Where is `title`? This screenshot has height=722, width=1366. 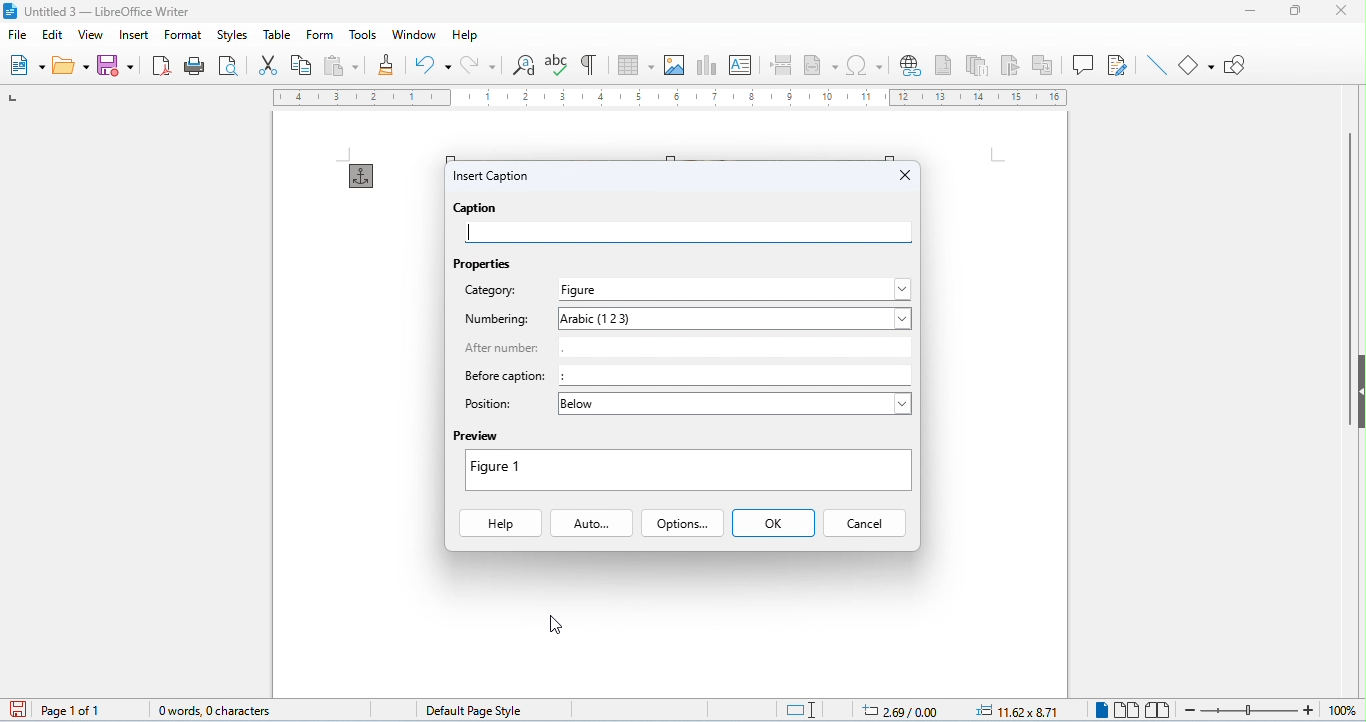 title is located at coordinates (102, 11).